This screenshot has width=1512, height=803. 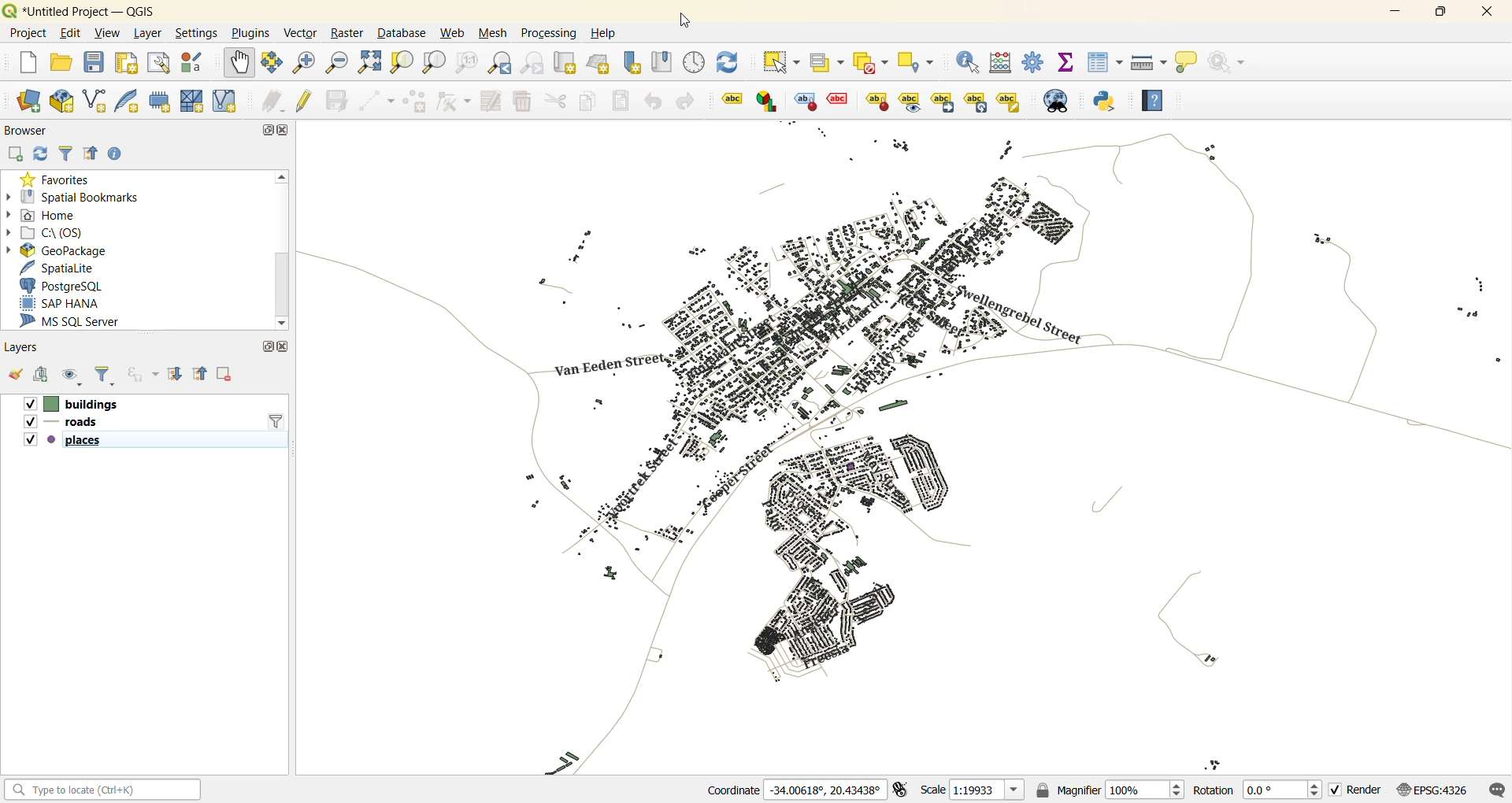 I want to click on pan map, so click(x=238, y=65).